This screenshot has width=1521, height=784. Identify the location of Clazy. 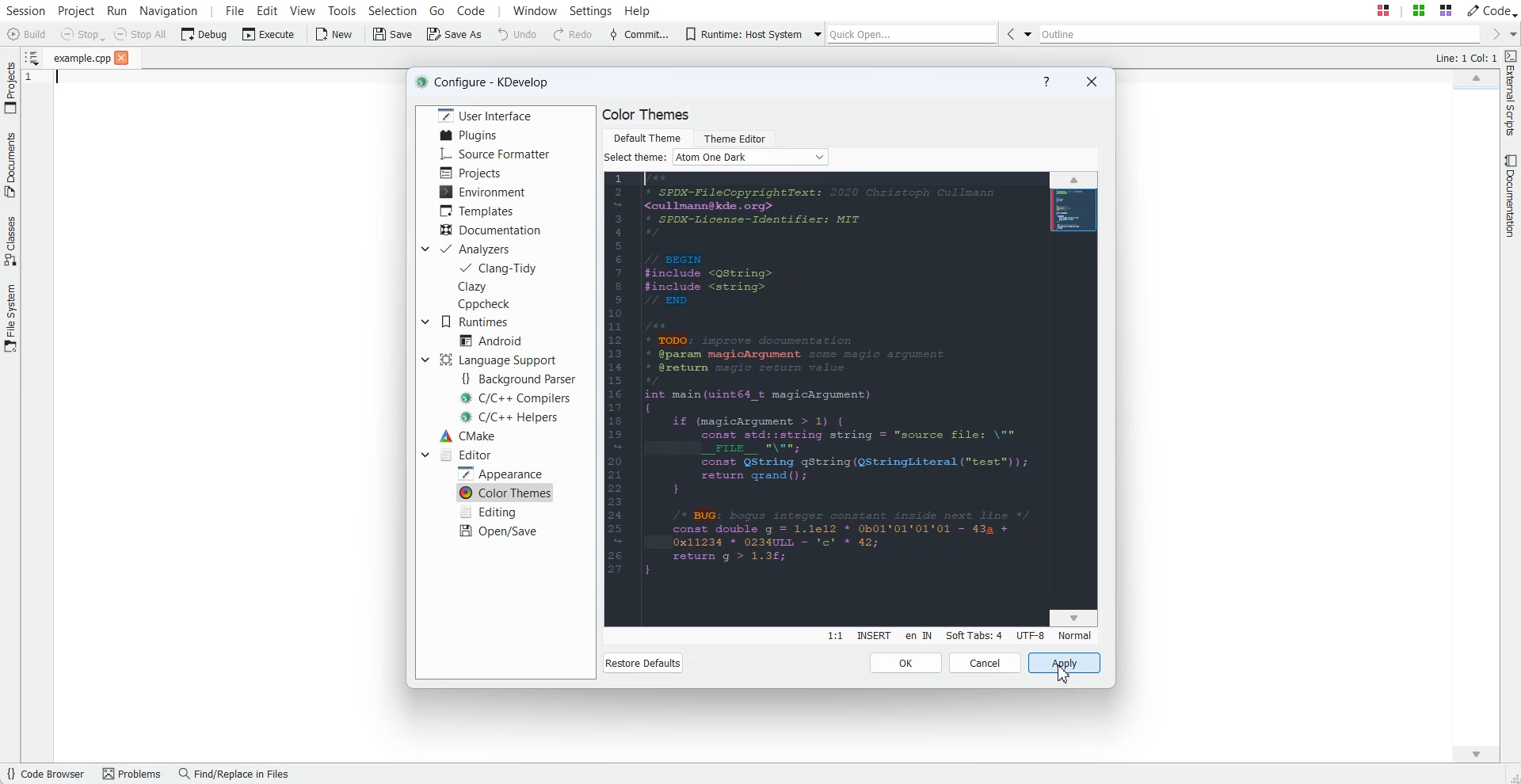
(488, 286).